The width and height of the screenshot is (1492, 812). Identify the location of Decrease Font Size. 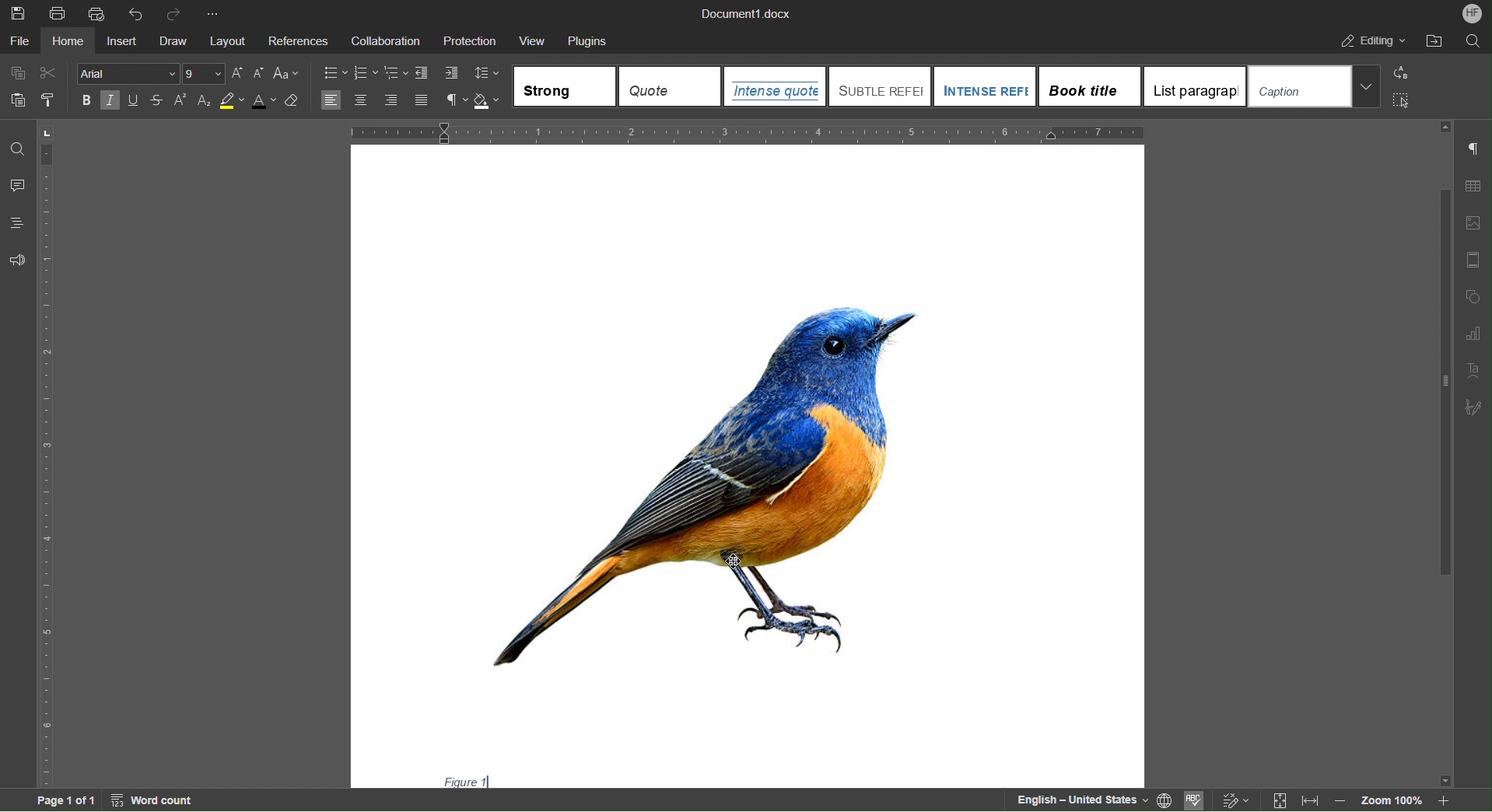
(258, 73).